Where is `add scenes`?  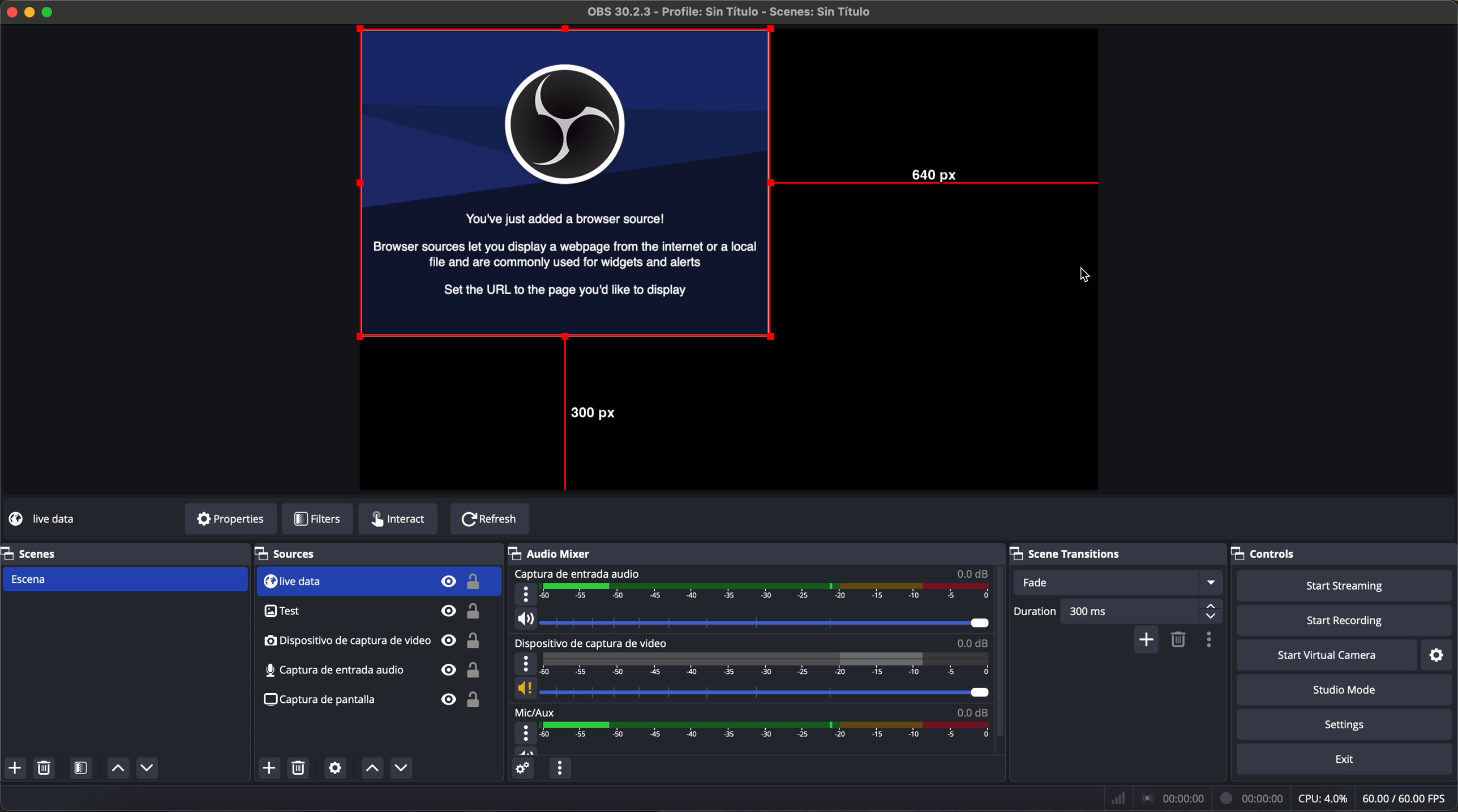
add scenes is located at coordinates (14, 768).